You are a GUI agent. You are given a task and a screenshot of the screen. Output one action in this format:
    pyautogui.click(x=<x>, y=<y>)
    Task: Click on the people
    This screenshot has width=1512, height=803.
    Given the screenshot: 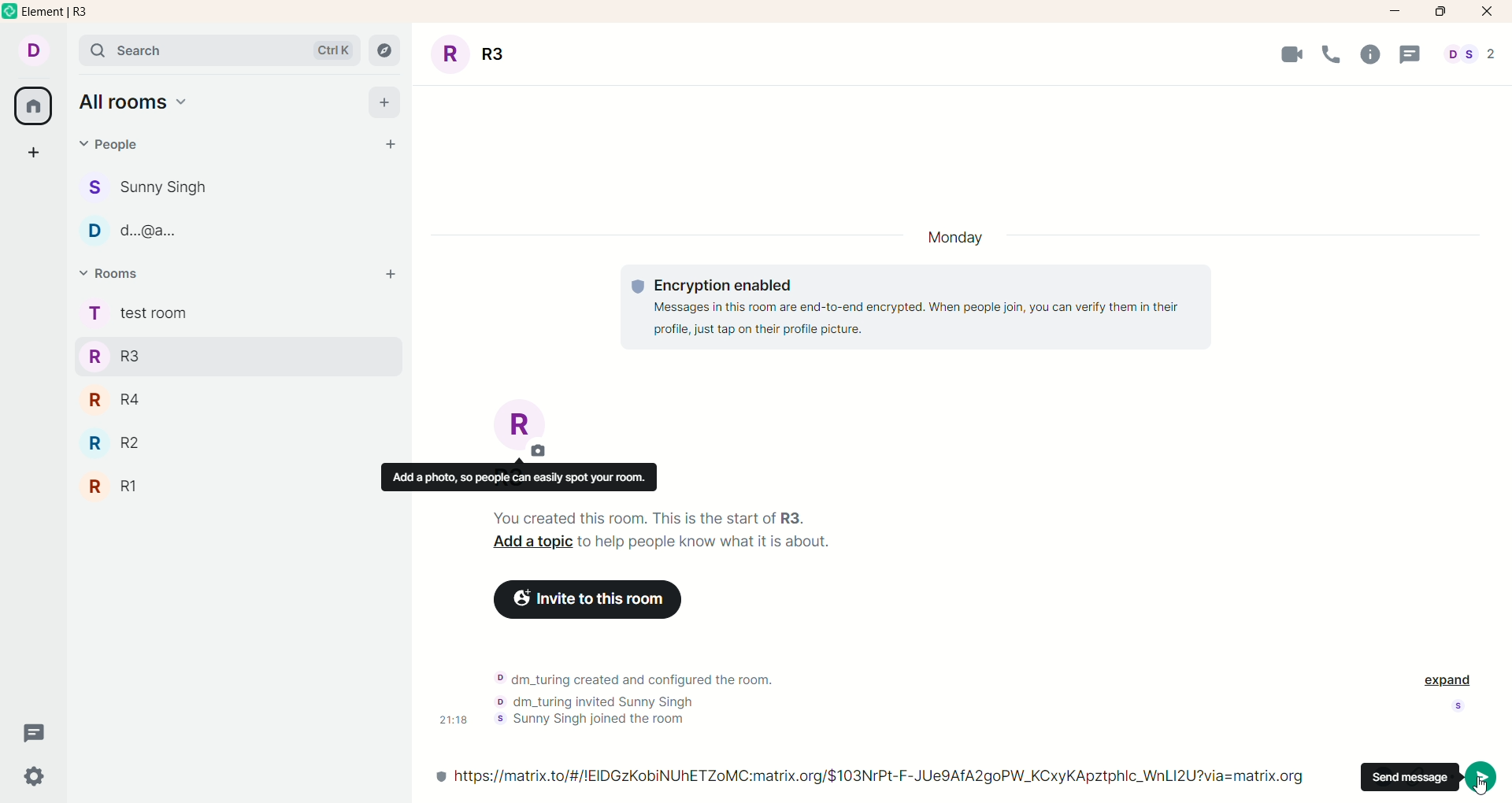 What is the action you would take?
    pyautogui.click(x=170, y=235)
    